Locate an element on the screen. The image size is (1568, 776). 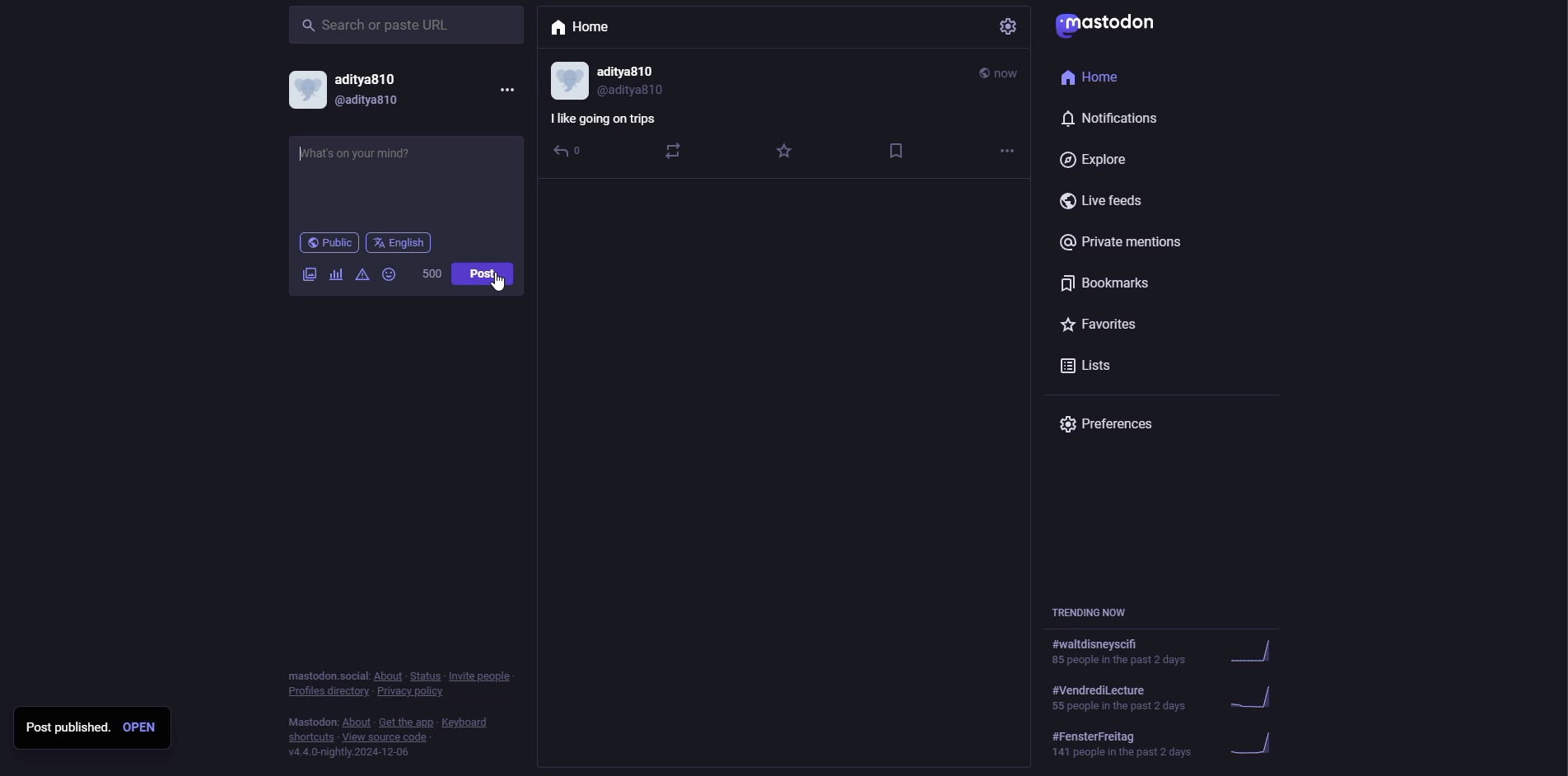
reaction is located at coordinates (672, 151).